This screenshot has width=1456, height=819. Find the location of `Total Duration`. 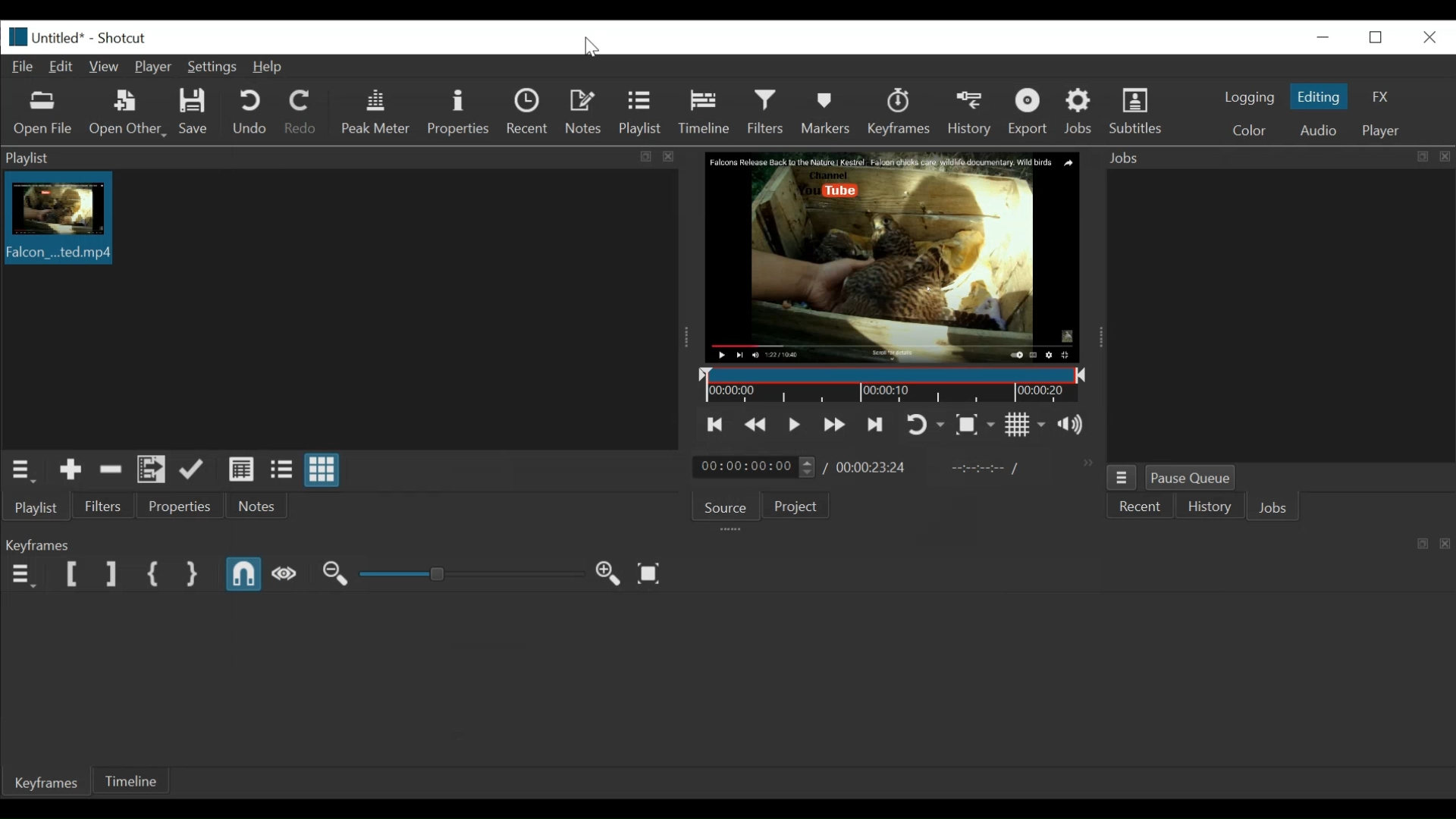

Total Duration is located at coordinates (873, 468).